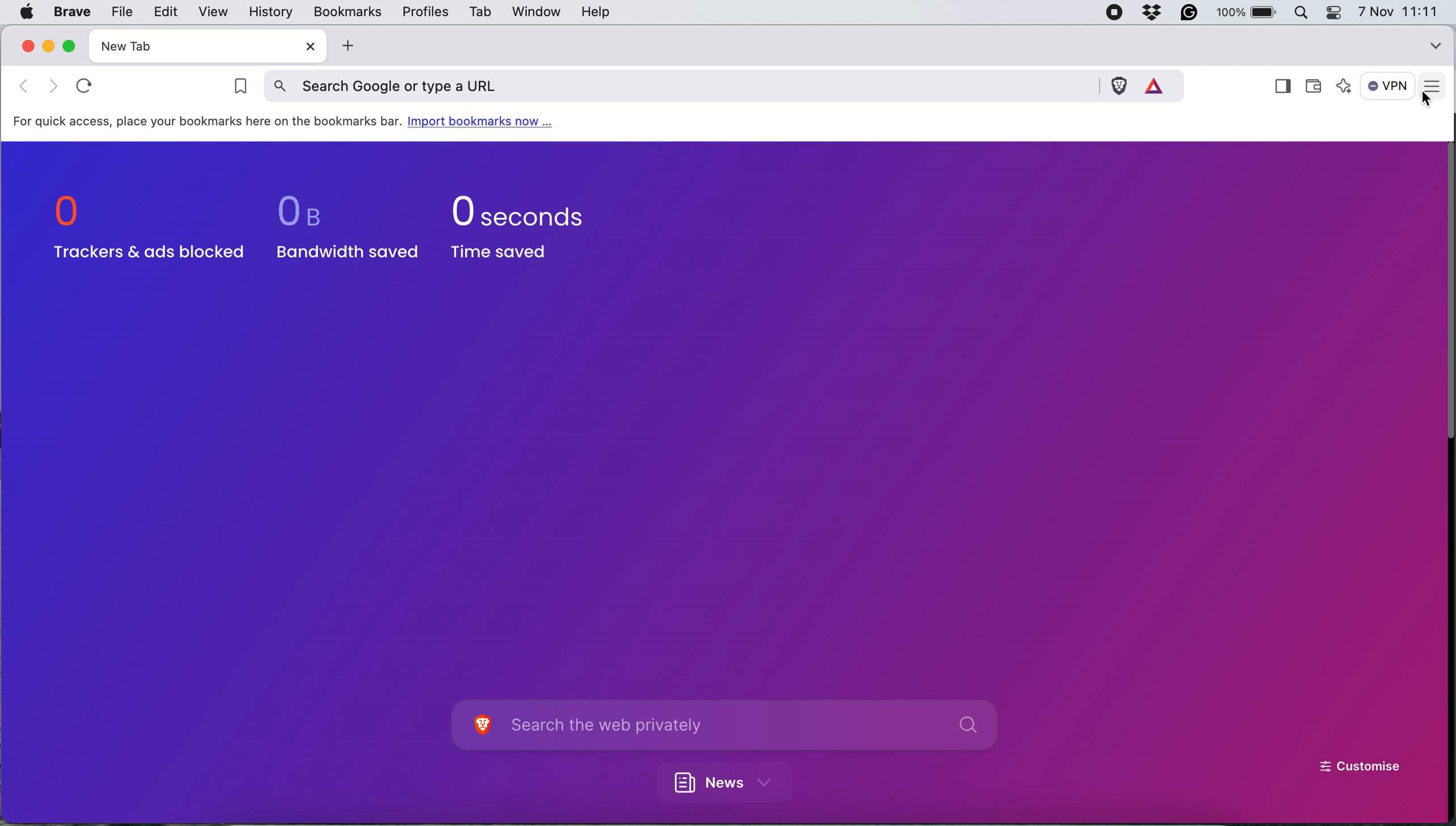  I want to click on new tab, so click(186, 46).